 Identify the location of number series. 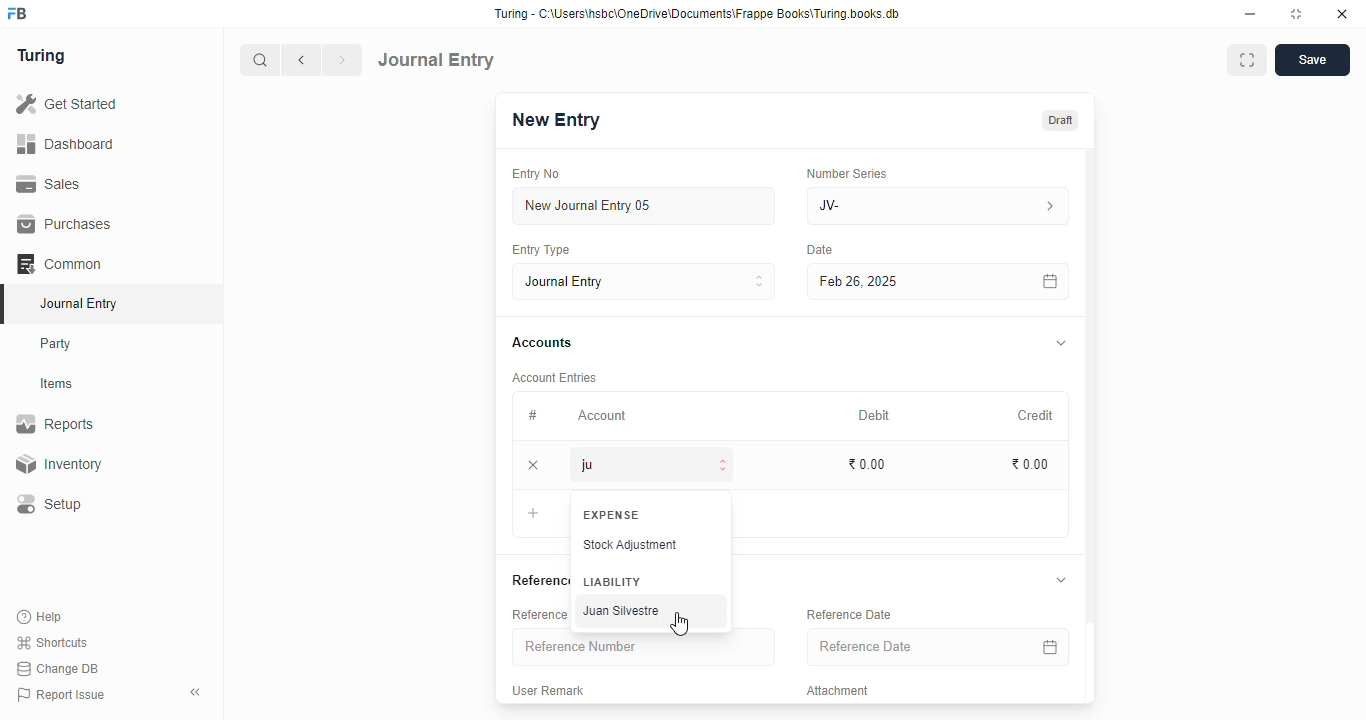
(846, 173).